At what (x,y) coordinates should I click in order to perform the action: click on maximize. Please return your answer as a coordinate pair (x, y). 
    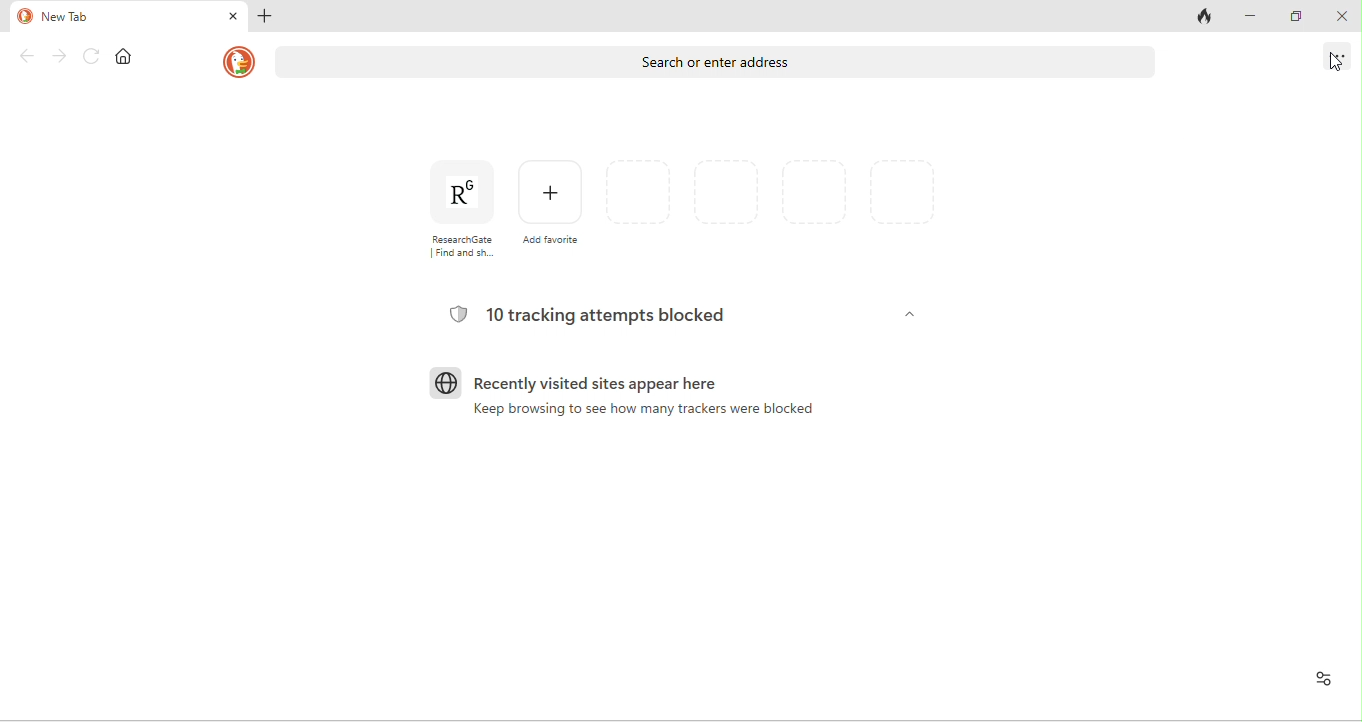
    Looking at the image, I should click on (1299, 18).